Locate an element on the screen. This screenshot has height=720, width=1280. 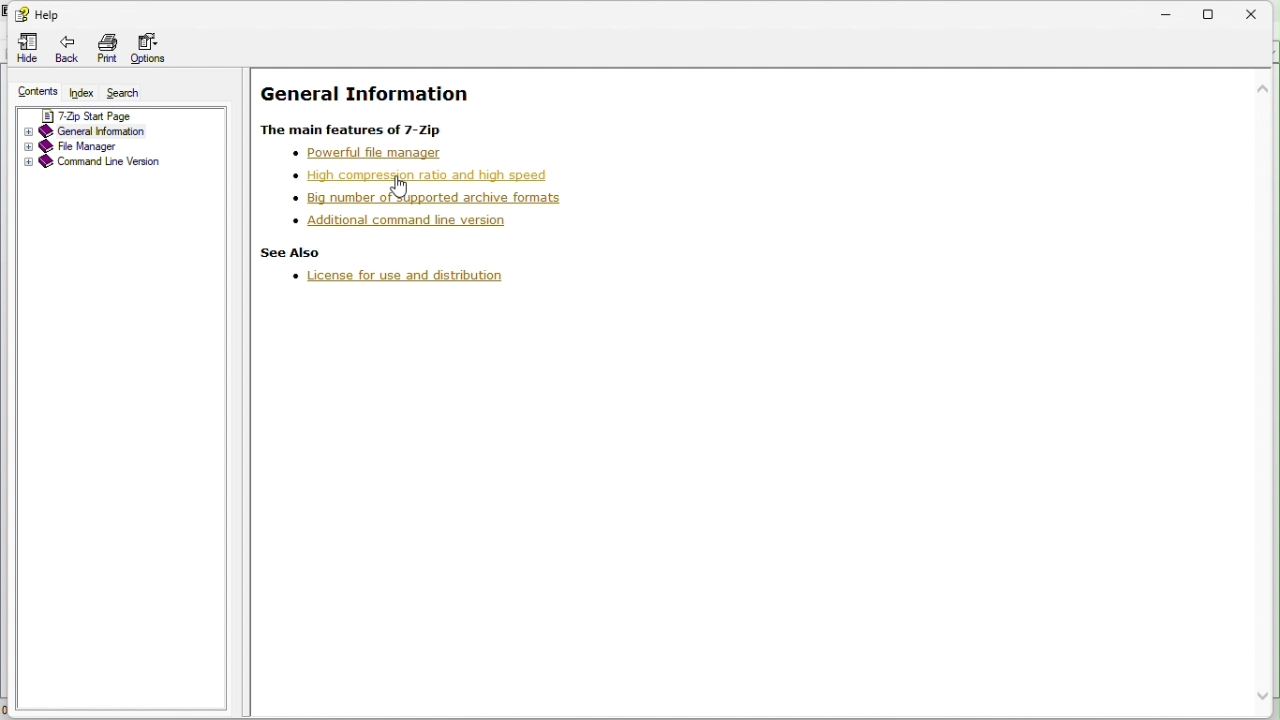
Additional command line version is located at coordinates (414, 223).